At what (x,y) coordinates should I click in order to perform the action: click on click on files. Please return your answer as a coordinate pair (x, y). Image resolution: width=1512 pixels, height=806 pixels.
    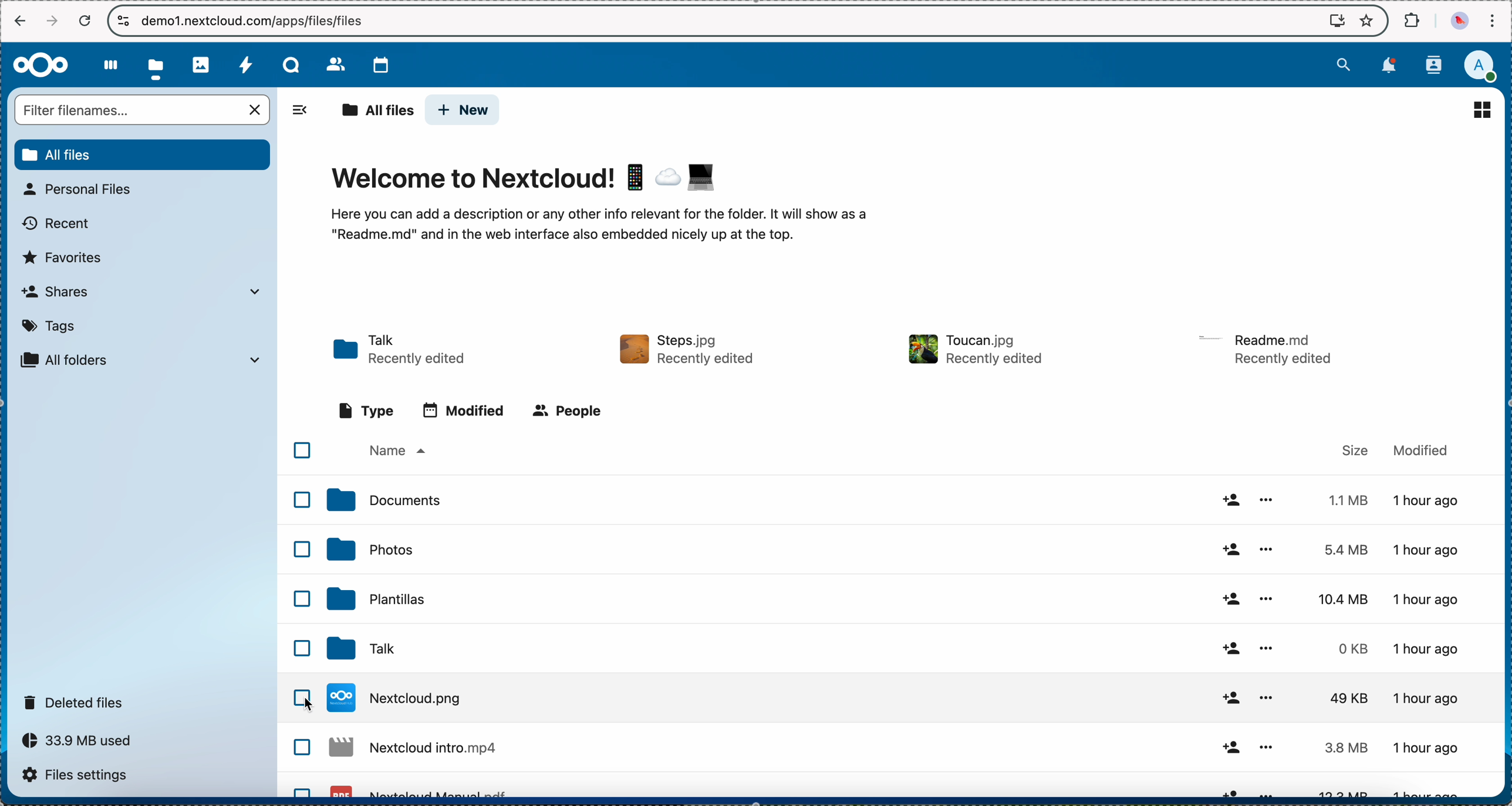
    Looking at the image, I should click on (158, 65).